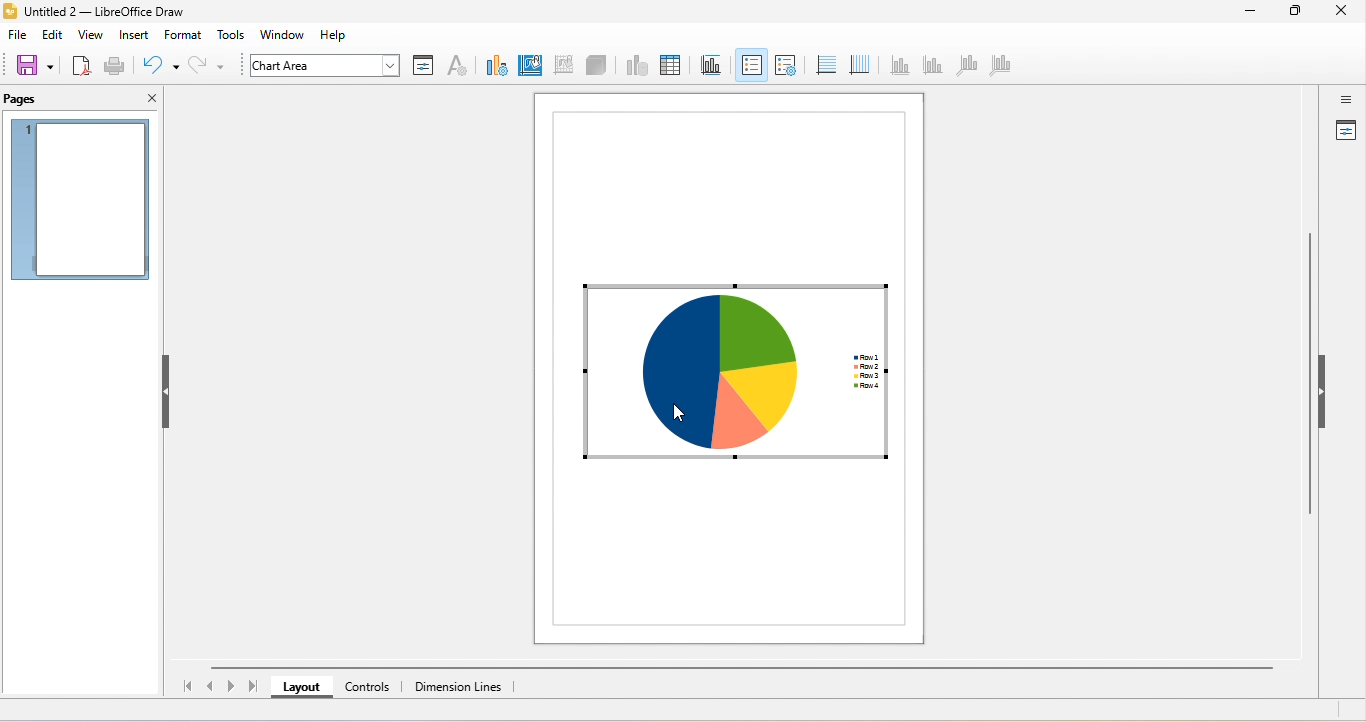 This screenshot has height=722, width=1366. I want to click on help, so click(338, 35).